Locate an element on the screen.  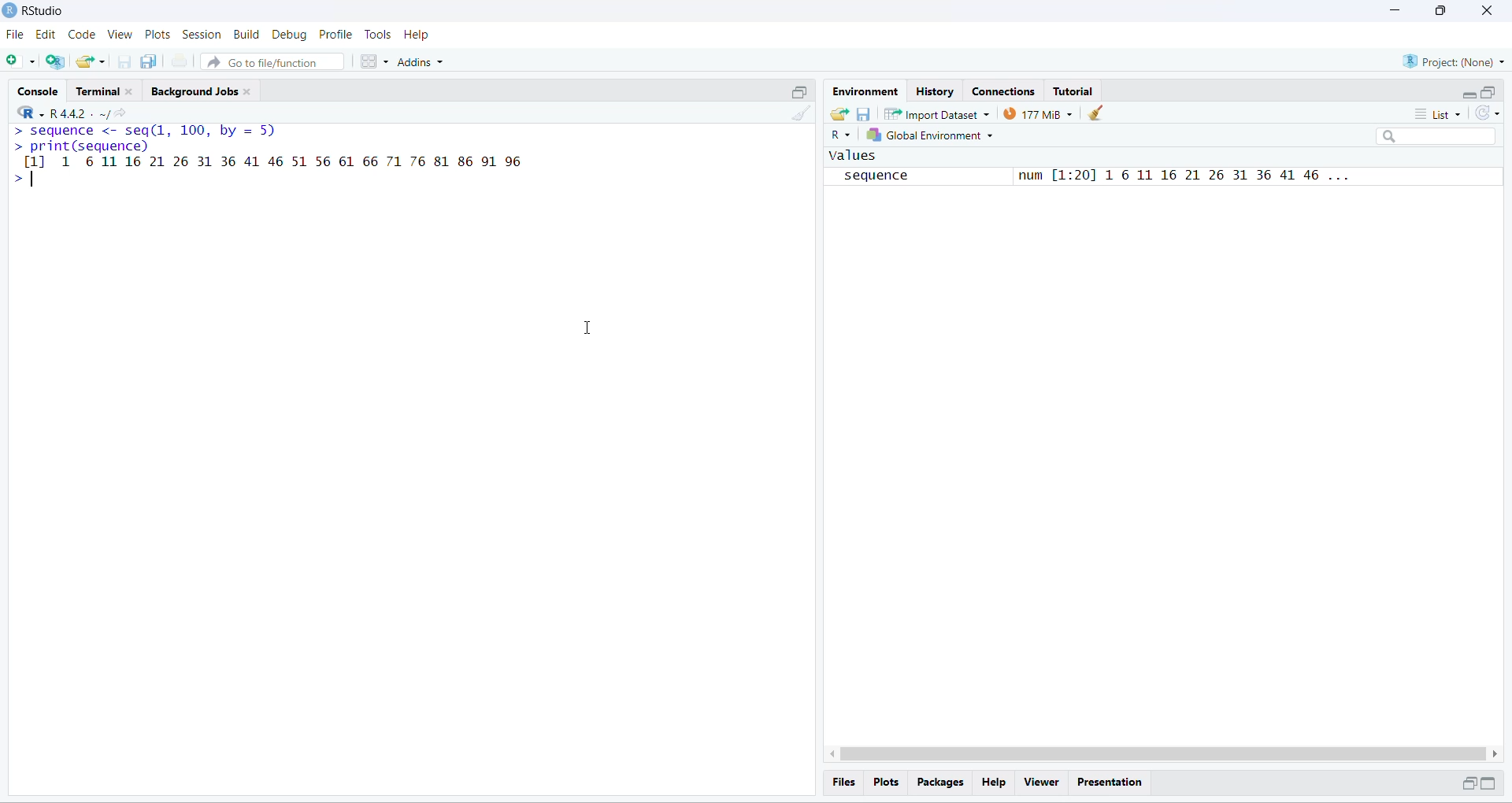
minimise is located at coordinates (1396, 9).